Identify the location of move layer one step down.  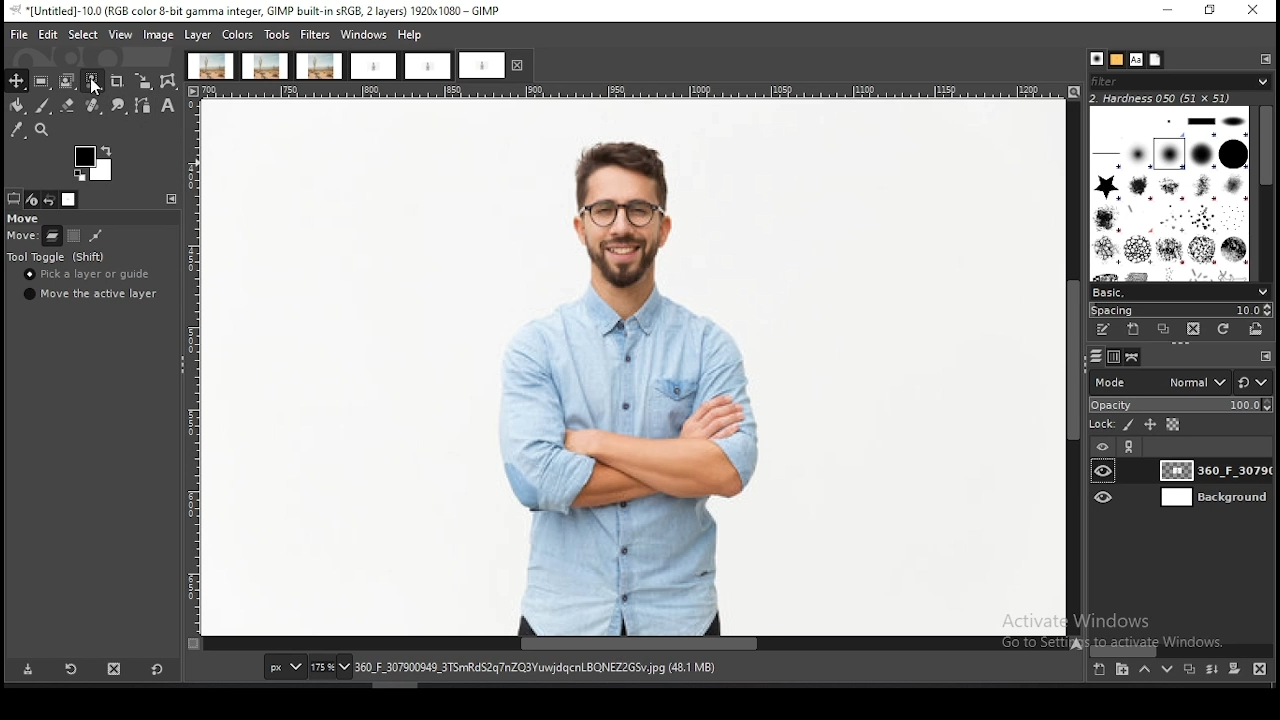
(1164, 669).